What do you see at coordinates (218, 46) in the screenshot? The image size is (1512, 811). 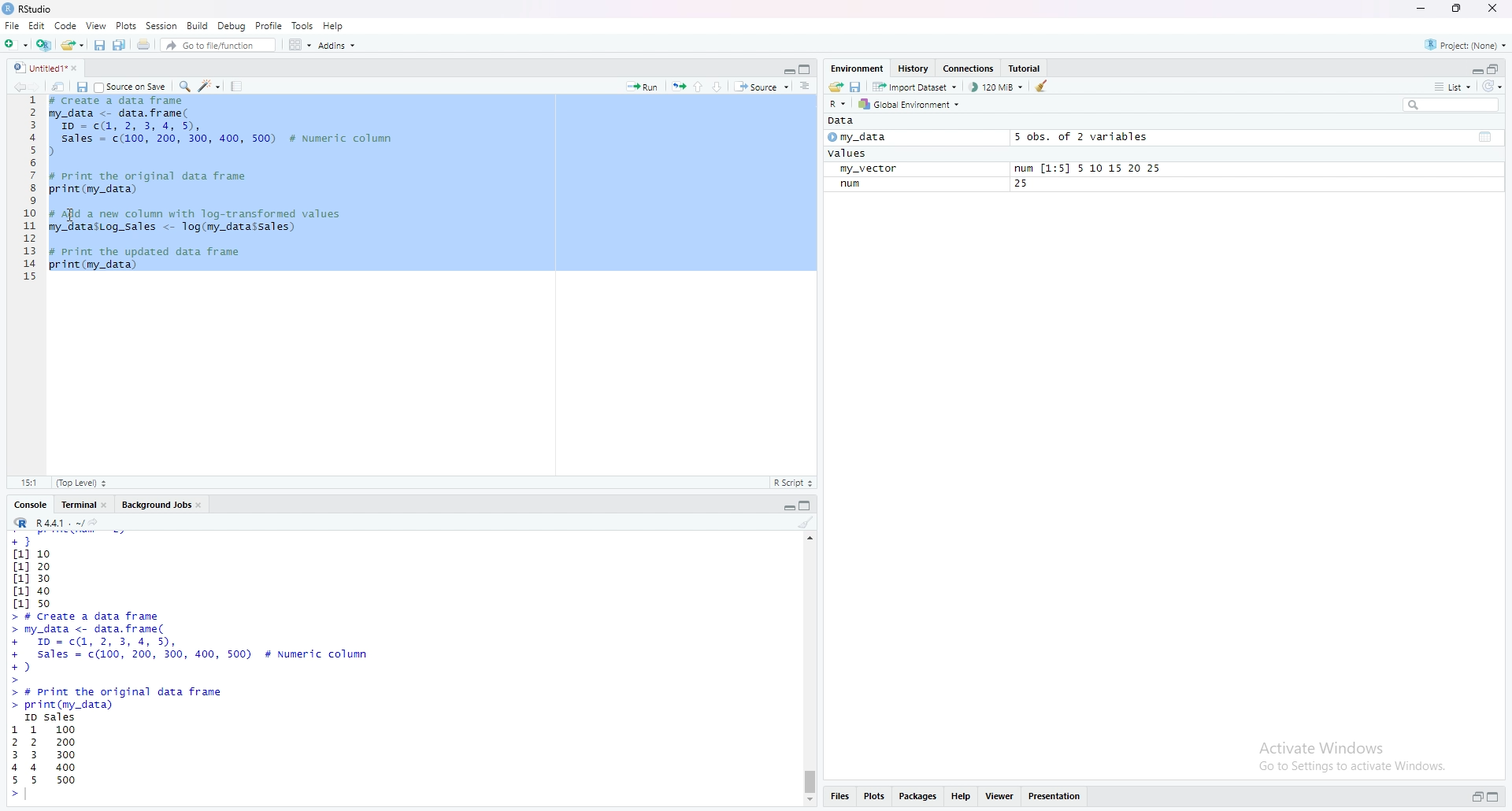 I see `go to file/function` at bounding box center [218, 46].